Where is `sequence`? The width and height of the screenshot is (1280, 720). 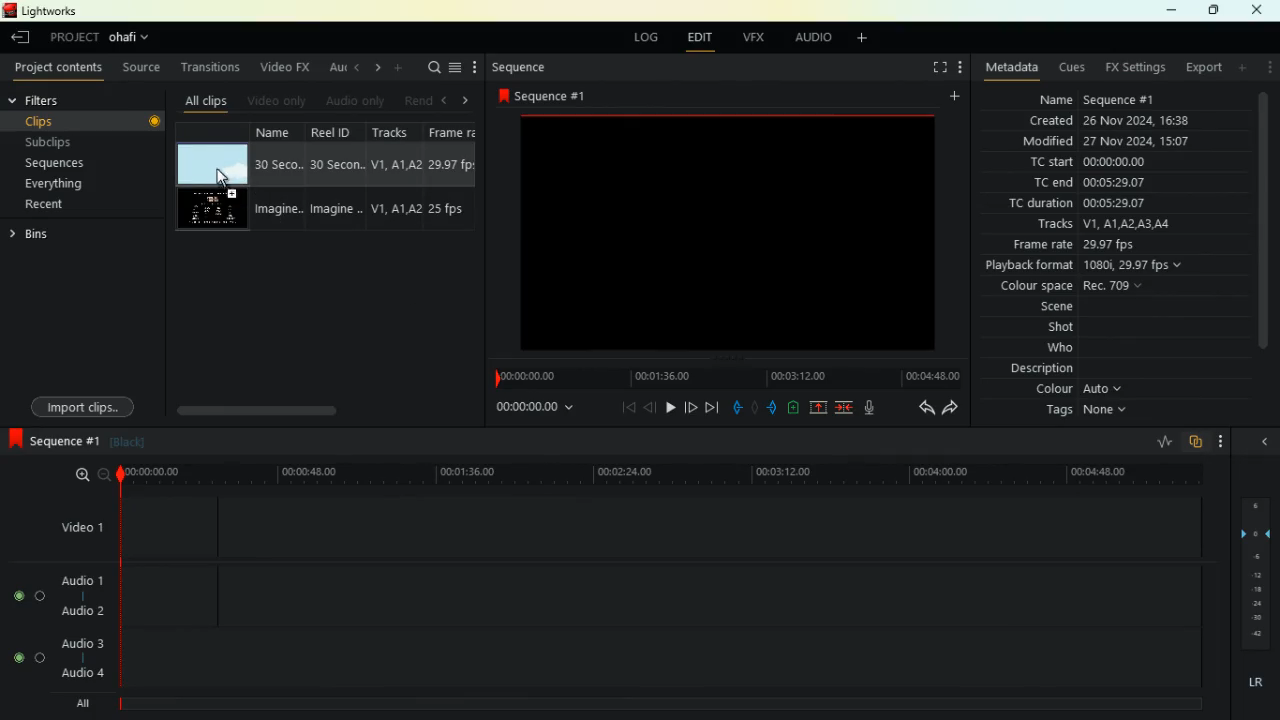 sequence is located at coordinates (543, 95).